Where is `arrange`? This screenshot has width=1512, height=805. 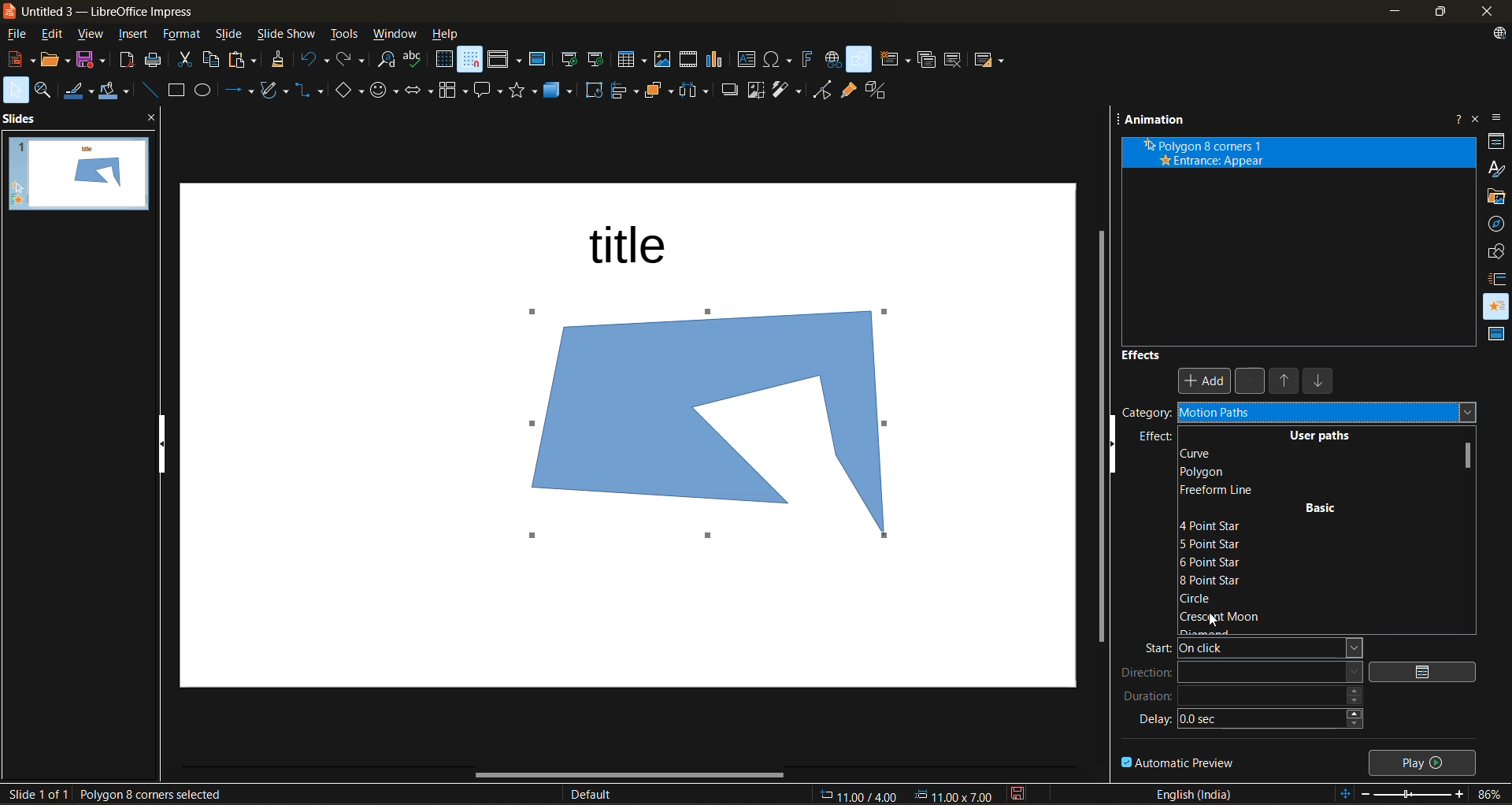 arrange is located at coordinates (654, 94).